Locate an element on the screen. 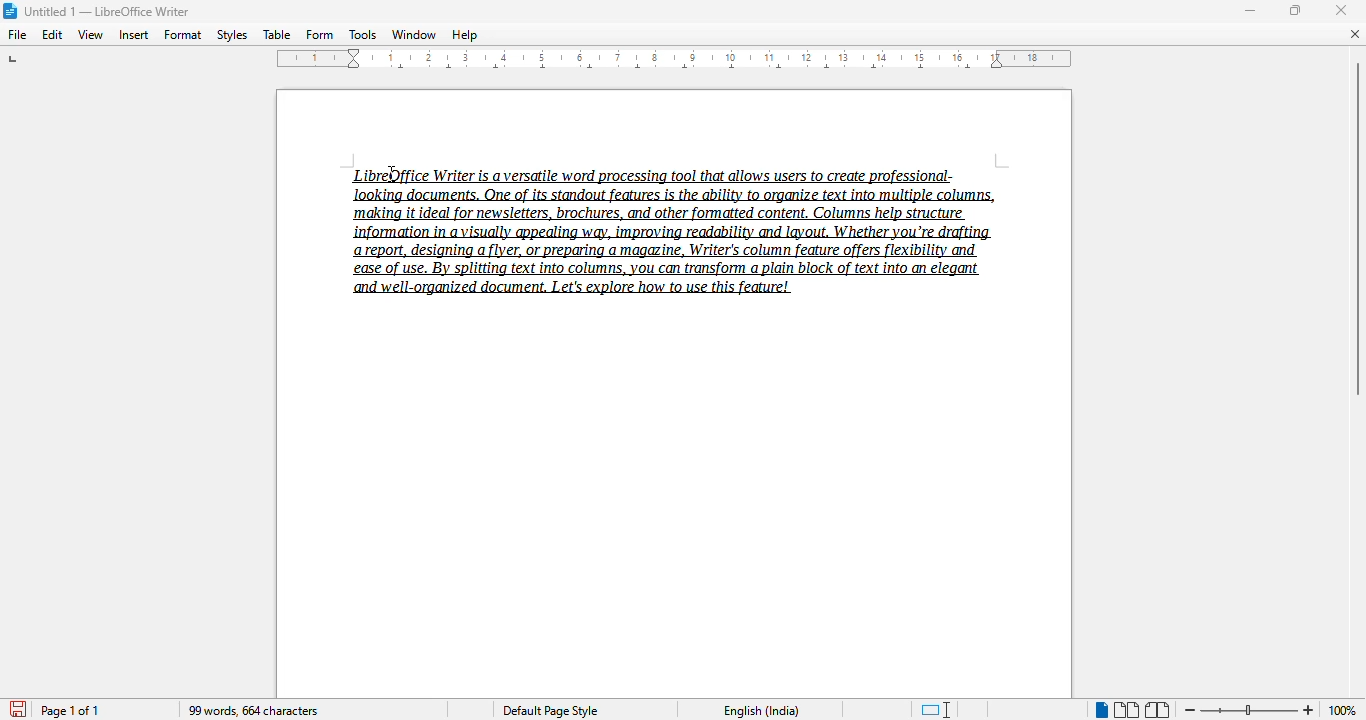 The width and height of the screenshot is (1366, 720). page 1 of 1 is located at coordinates (71, 711).